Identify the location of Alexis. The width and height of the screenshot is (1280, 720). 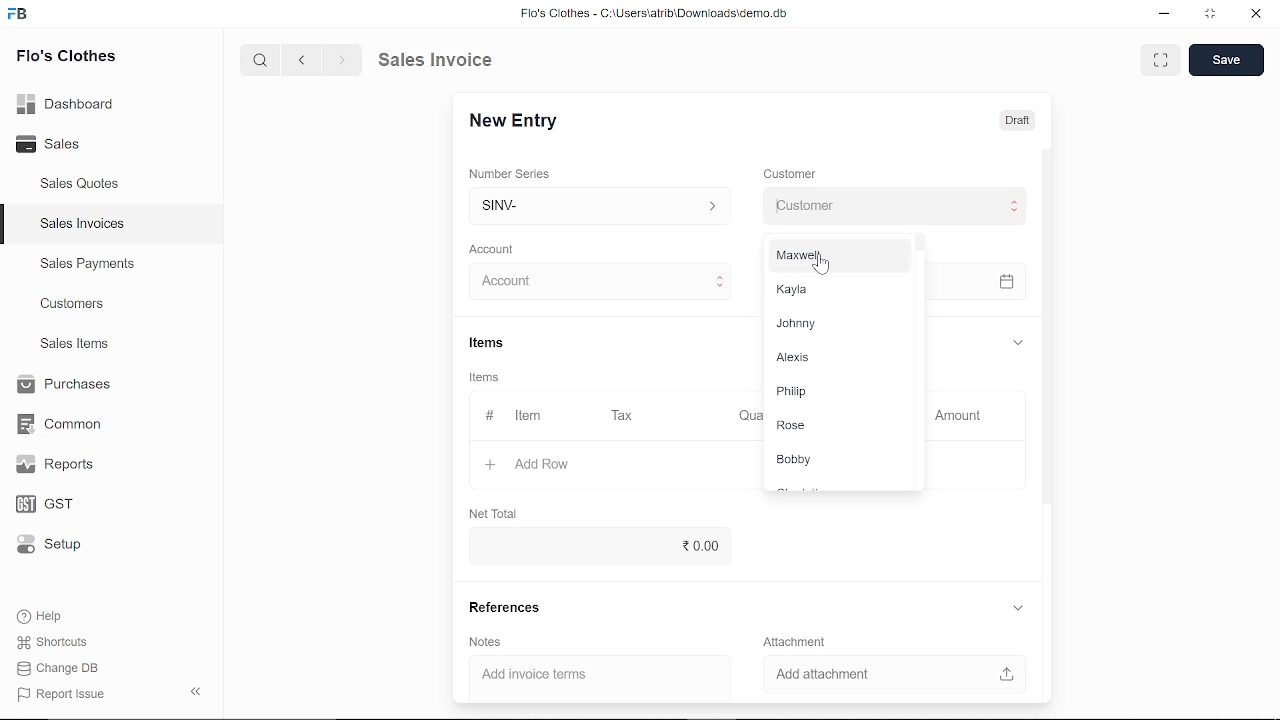
(840, 360).